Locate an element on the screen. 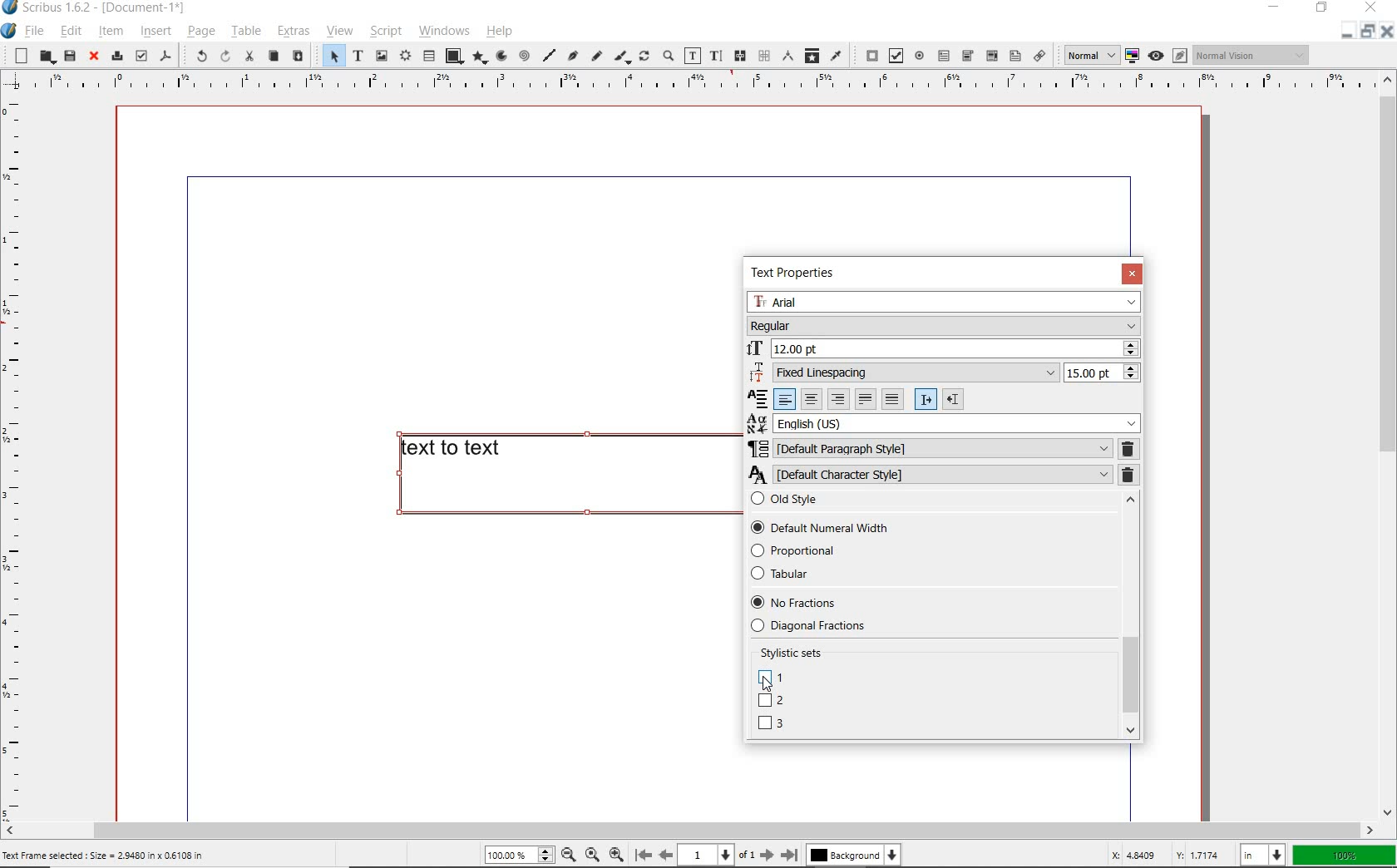 This screenshot has width=1397, height=868. Previous page is located at coordinates (664, 855).